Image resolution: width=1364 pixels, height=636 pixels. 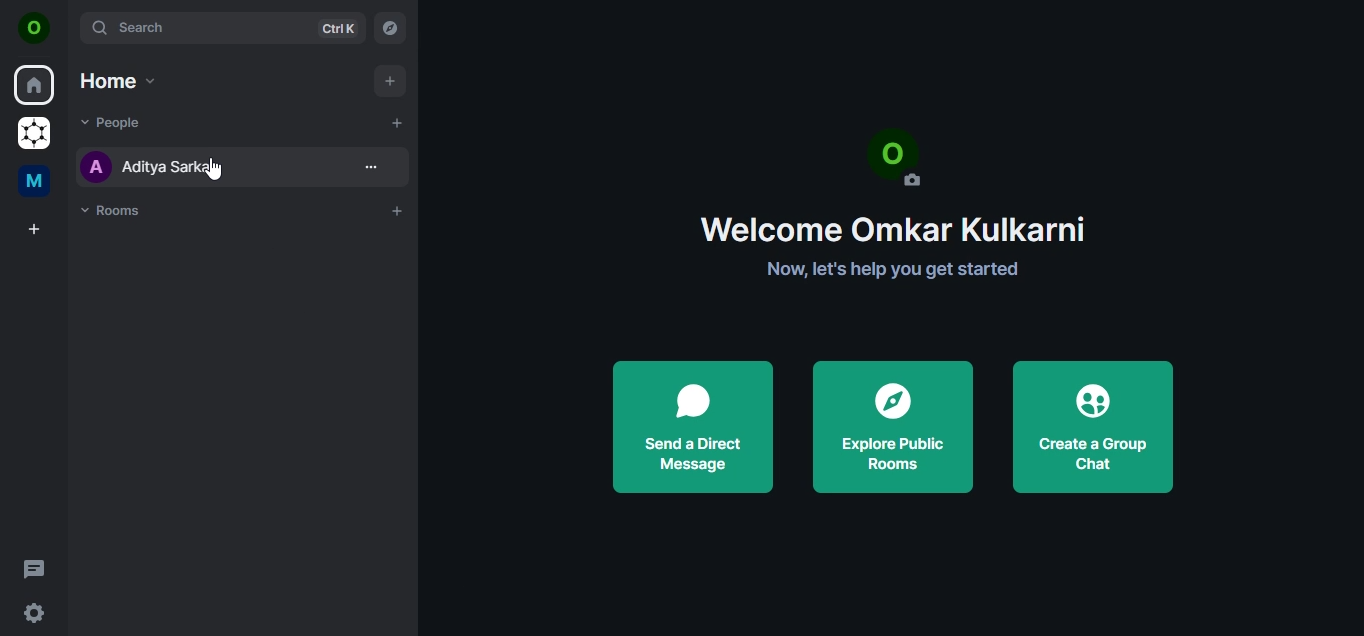 What do you see at coordinates (389, 82) in the screenshot?
I see `add` at bounding box center [389, 82].